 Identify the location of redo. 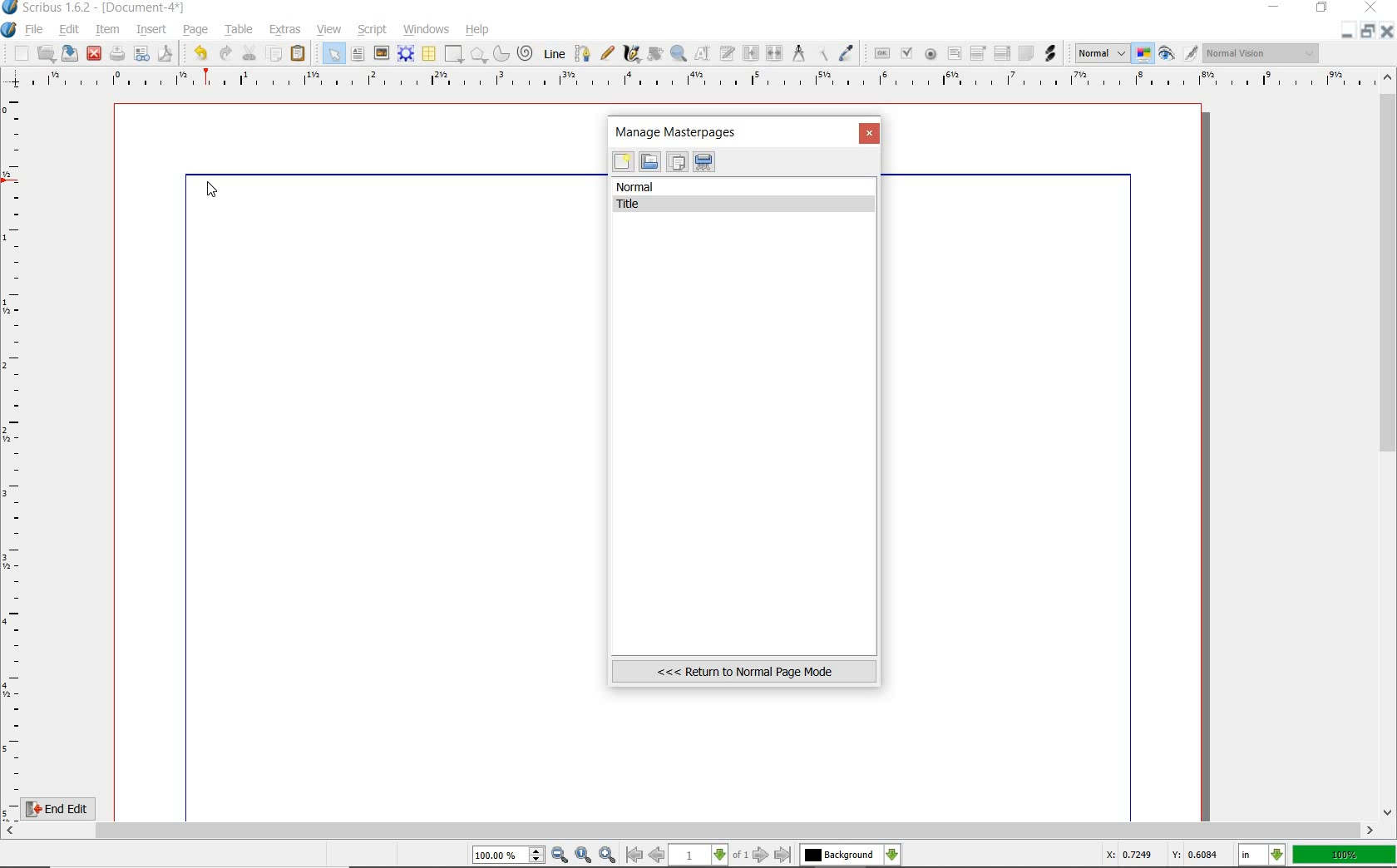
(225, 52).